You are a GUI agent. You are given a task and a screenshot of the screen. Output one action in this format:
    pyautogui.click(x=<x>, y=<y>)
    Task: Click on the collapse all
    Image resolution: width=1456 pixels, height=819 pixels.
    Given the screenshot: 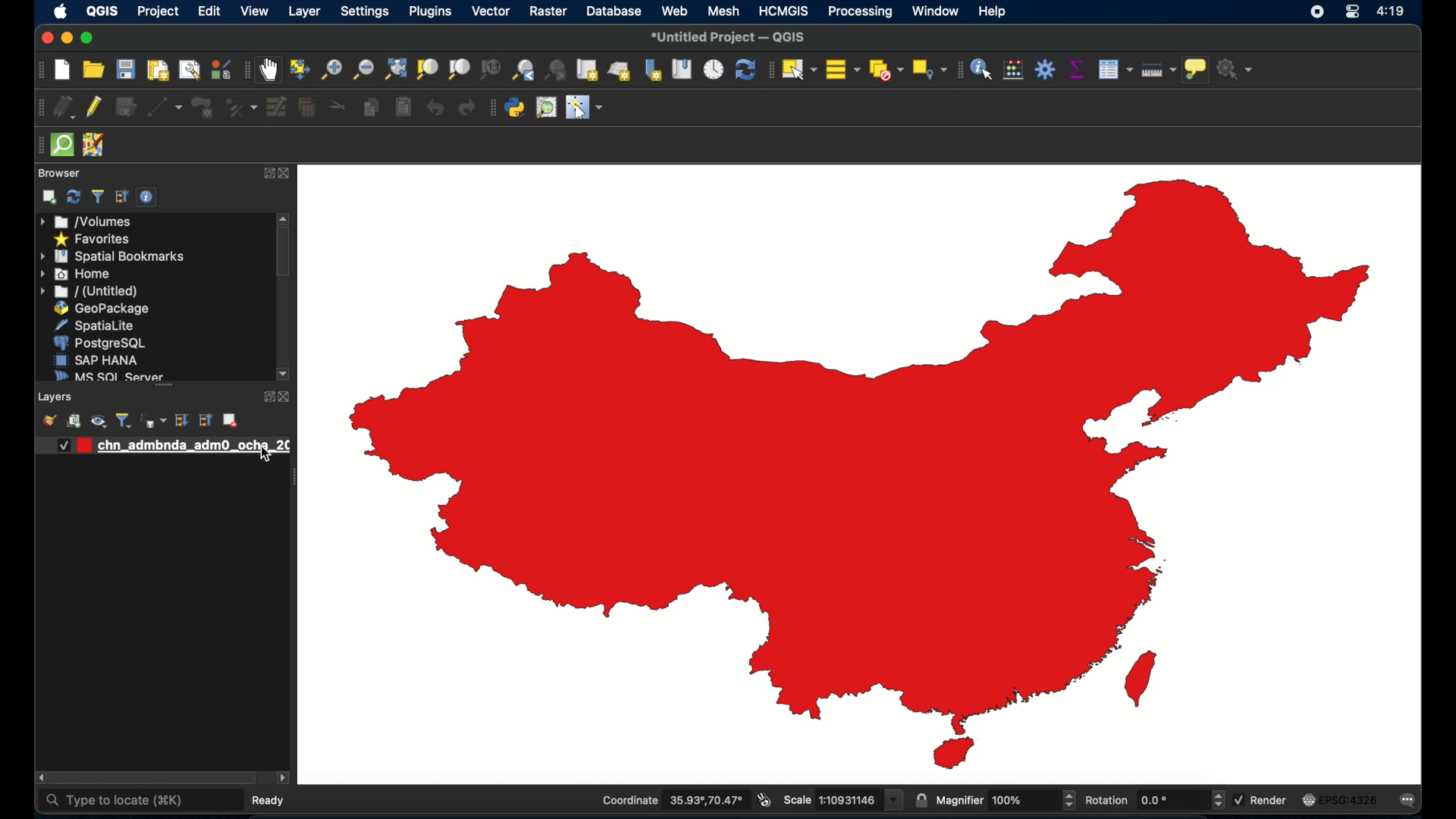 What is the action you would take?
    pyautogui.click(x=122, y=197)
    